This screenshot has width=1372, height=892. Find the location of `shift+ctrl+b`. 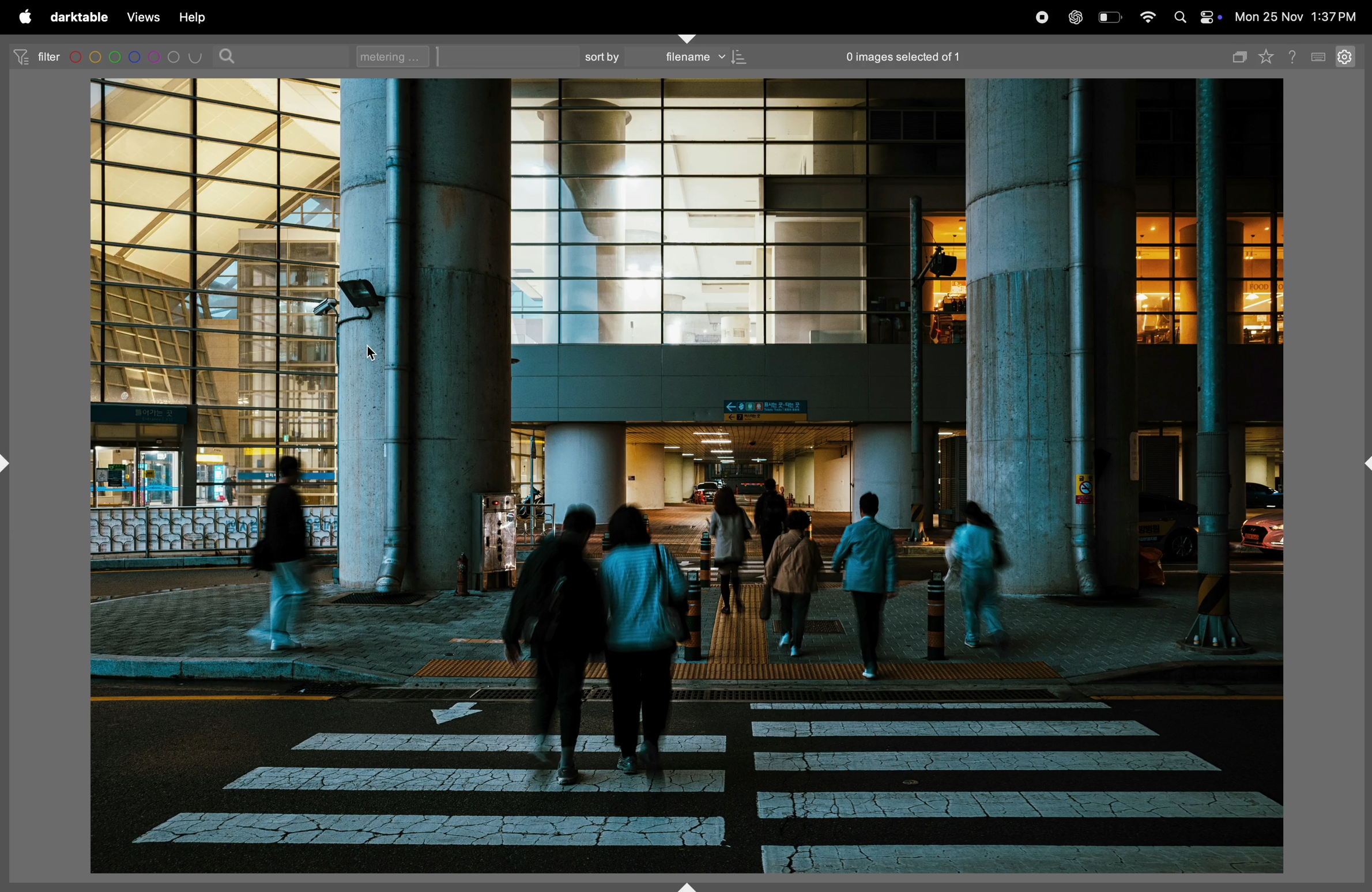

shift+ctrl+b is located at coordinates (688, 883).